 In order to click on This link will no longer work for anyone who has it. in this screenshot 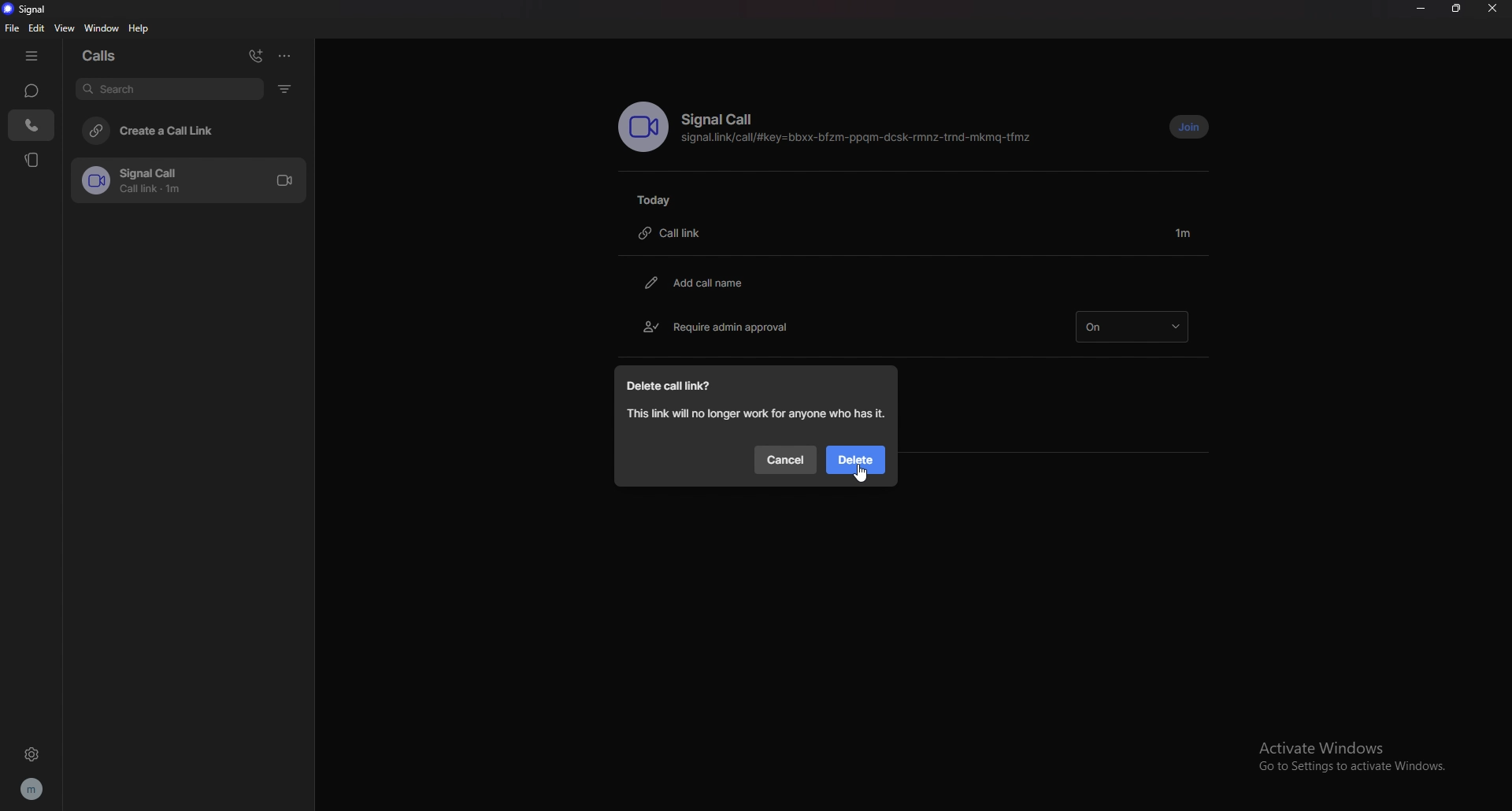, I will do `click(759, 413)`.